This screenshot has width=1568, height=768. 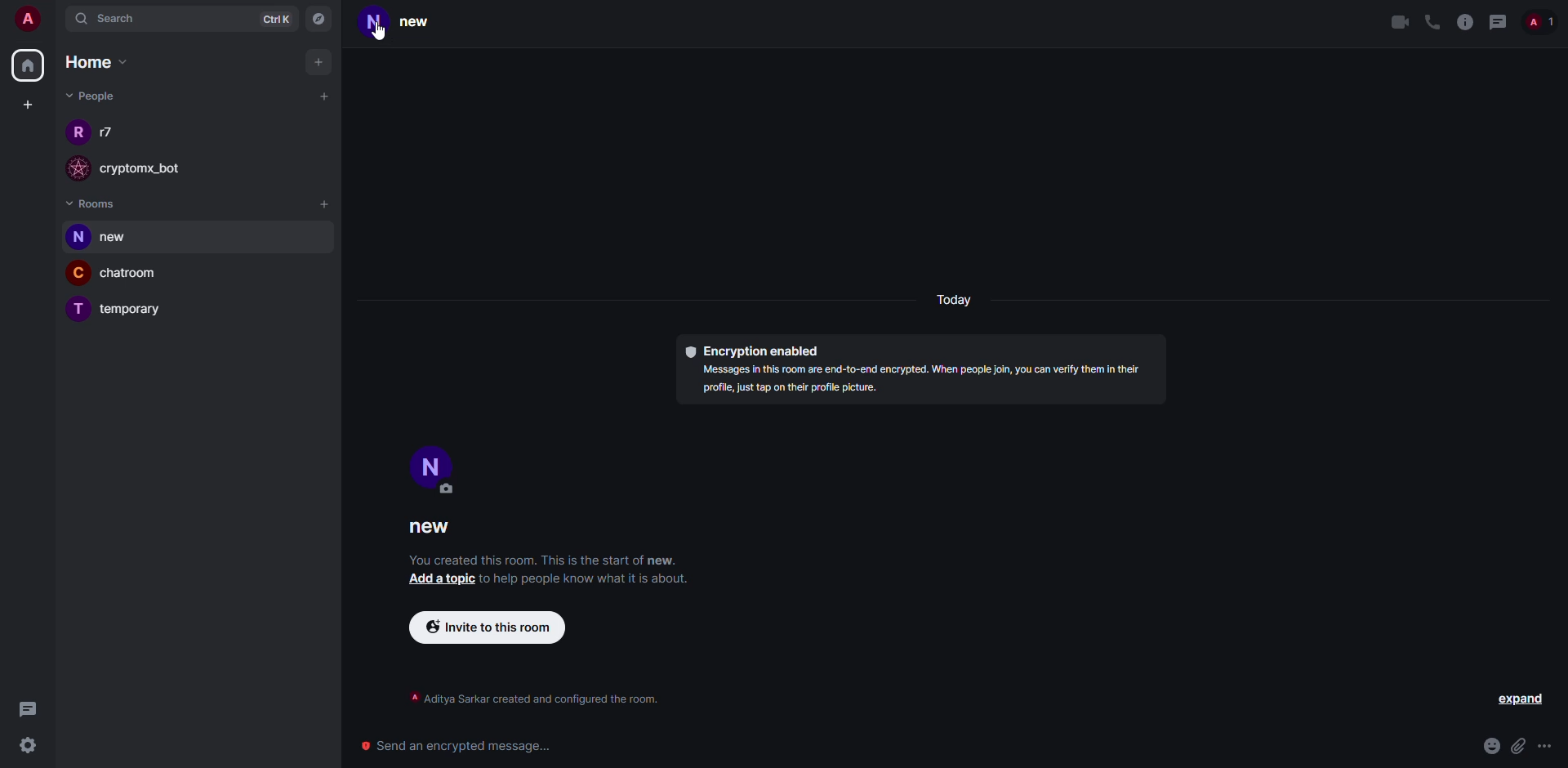 What do you see at coordinates (93, 203) in the screenshot?
I see `rooms` at bounding box center [93, 203].